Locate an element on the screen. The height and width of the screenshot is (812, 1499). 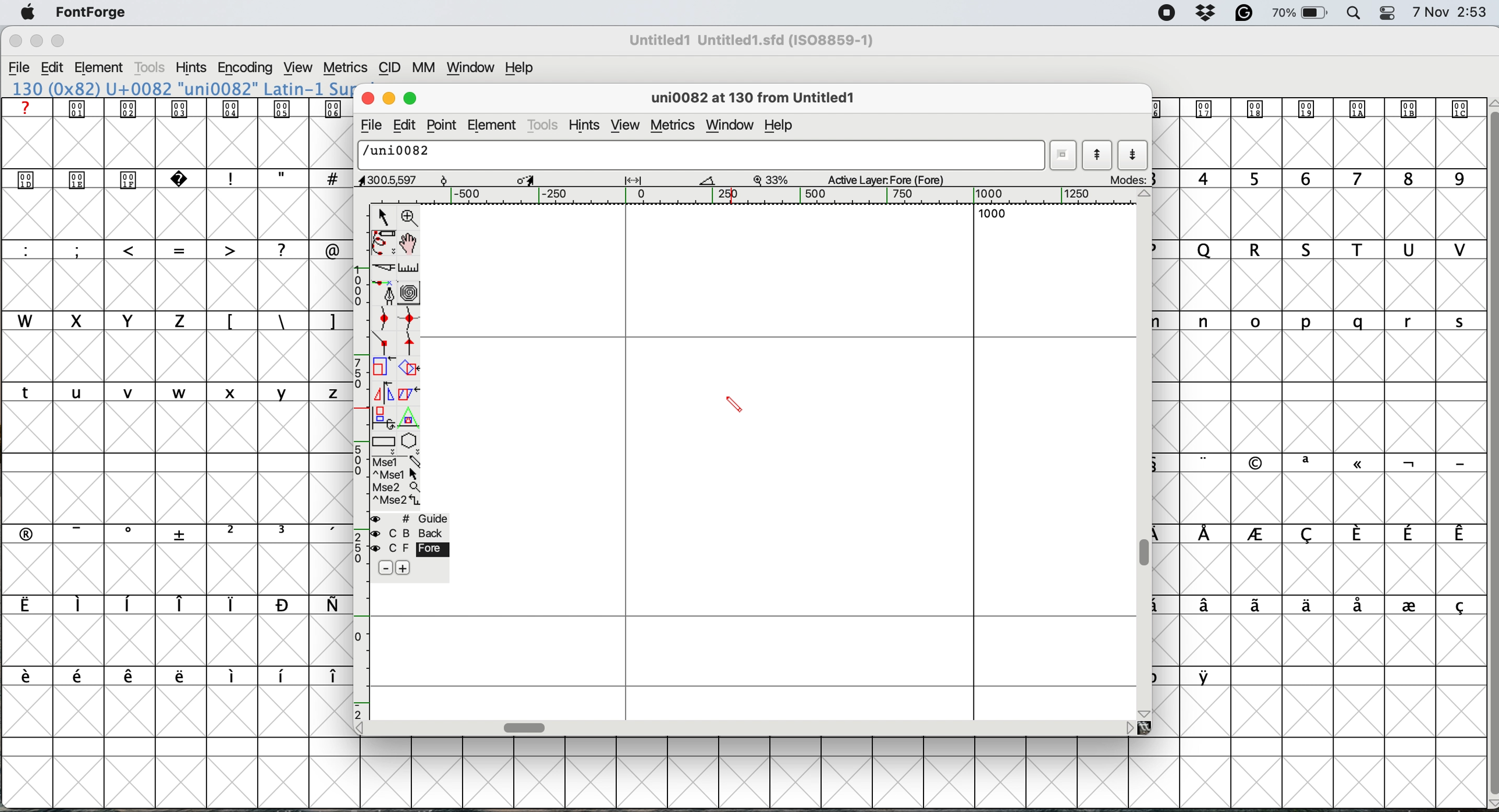
hints is located at coordinates (588, 126).